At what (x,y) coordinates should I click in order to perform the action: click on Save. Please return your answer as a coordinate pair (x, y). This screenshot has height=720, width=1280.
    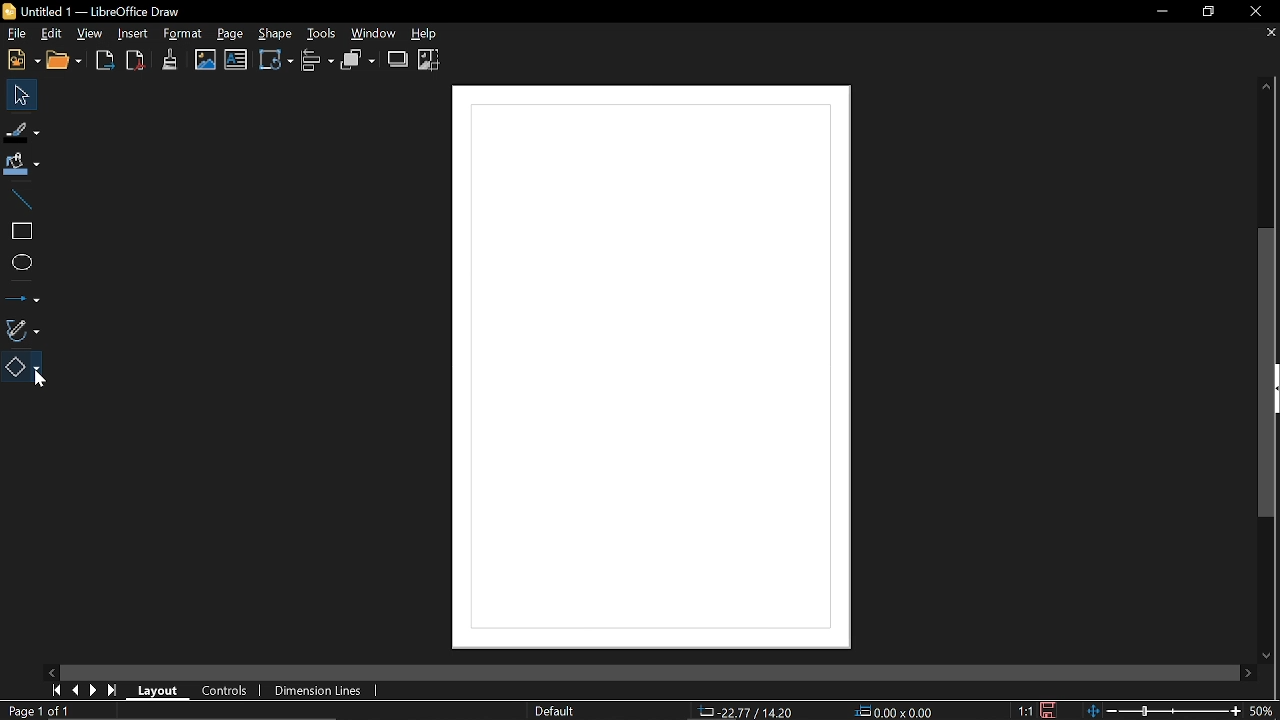
    Looking at the image, I should click on (1048, 710).